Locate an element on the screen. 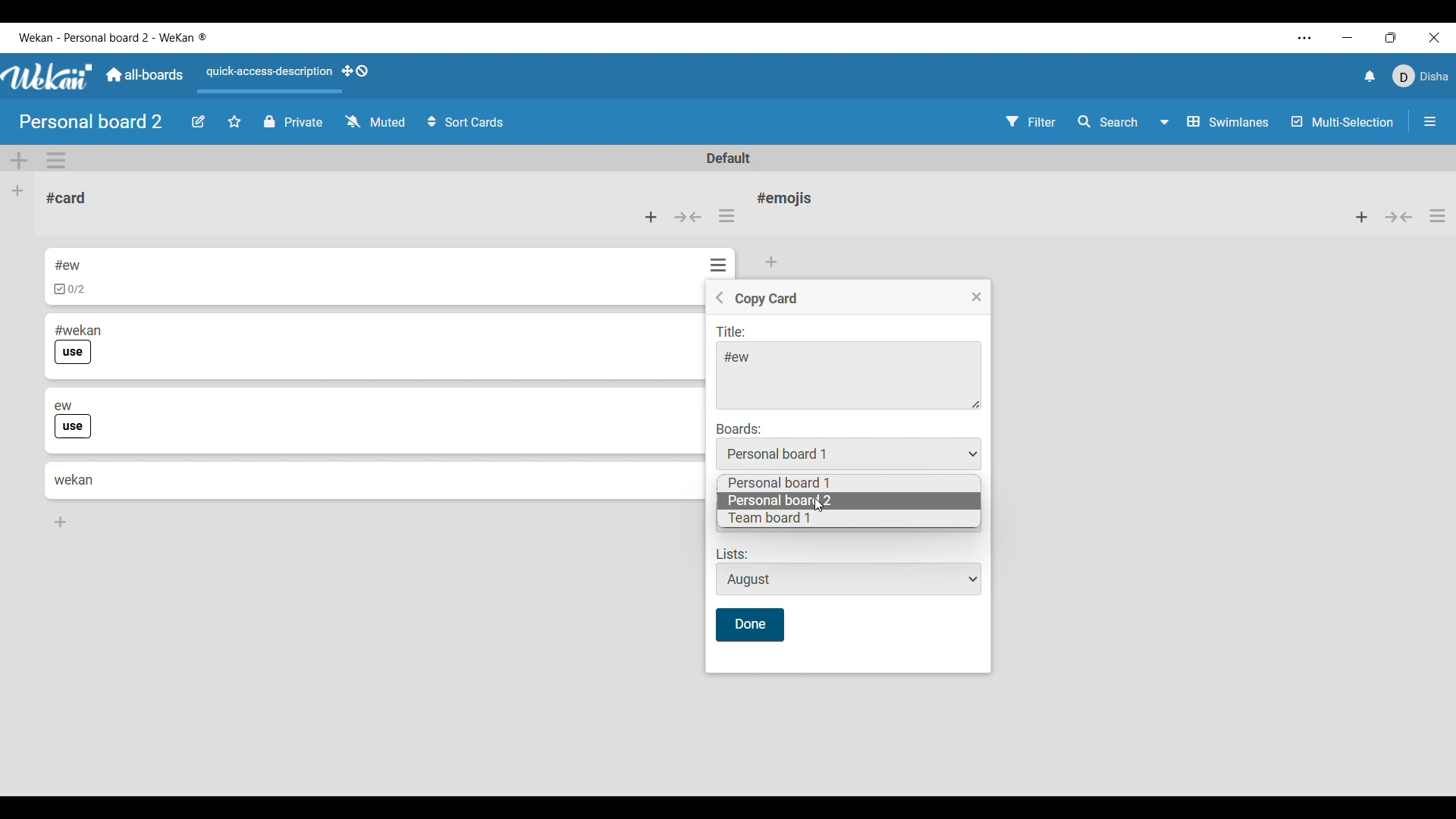 The height and width of the screenshot is (819, 1456). Go to main dashboard is located at coordinates (143, 75).